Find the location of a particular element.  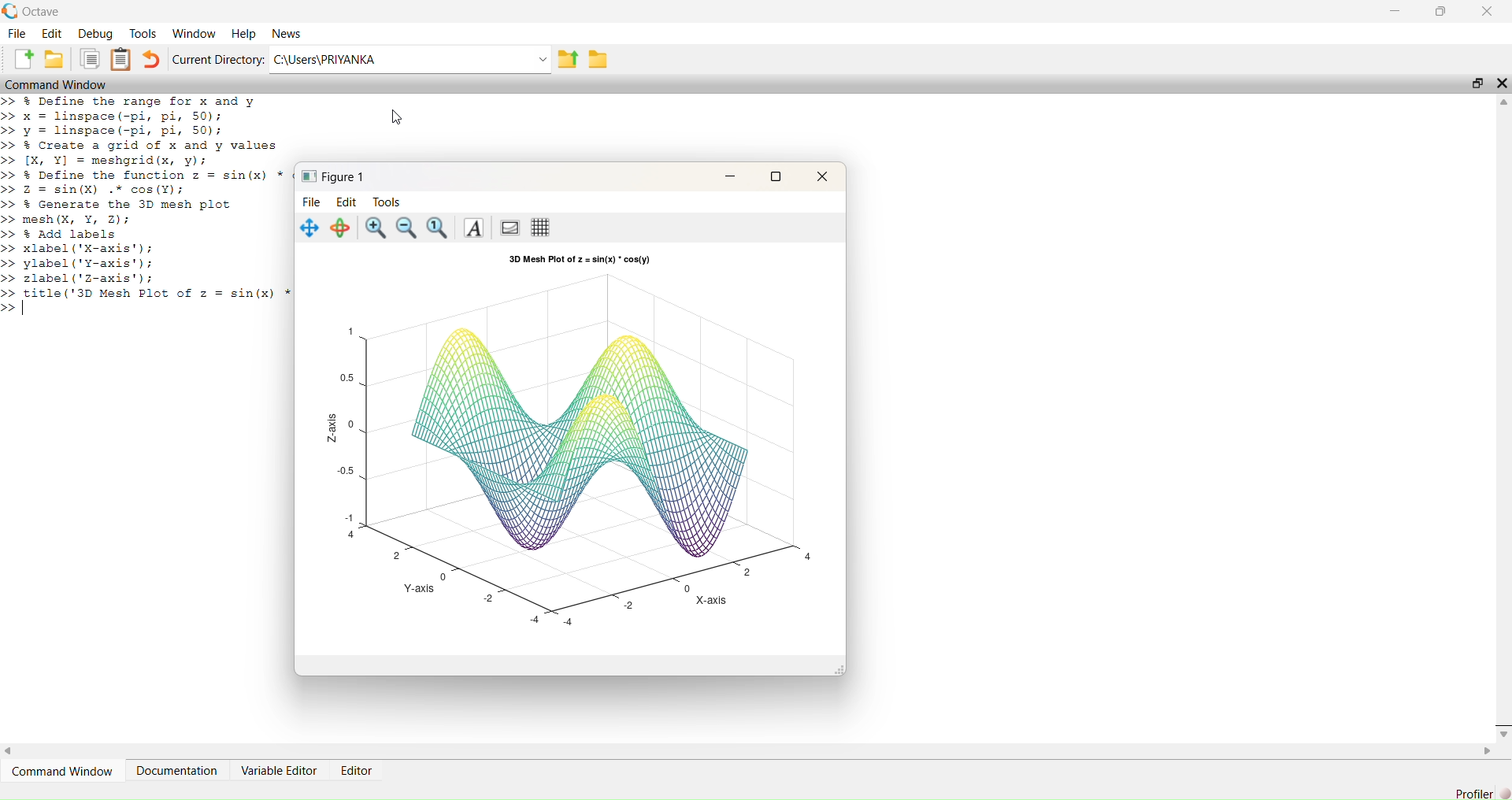

Minimize is located at coordinates (737, 171).